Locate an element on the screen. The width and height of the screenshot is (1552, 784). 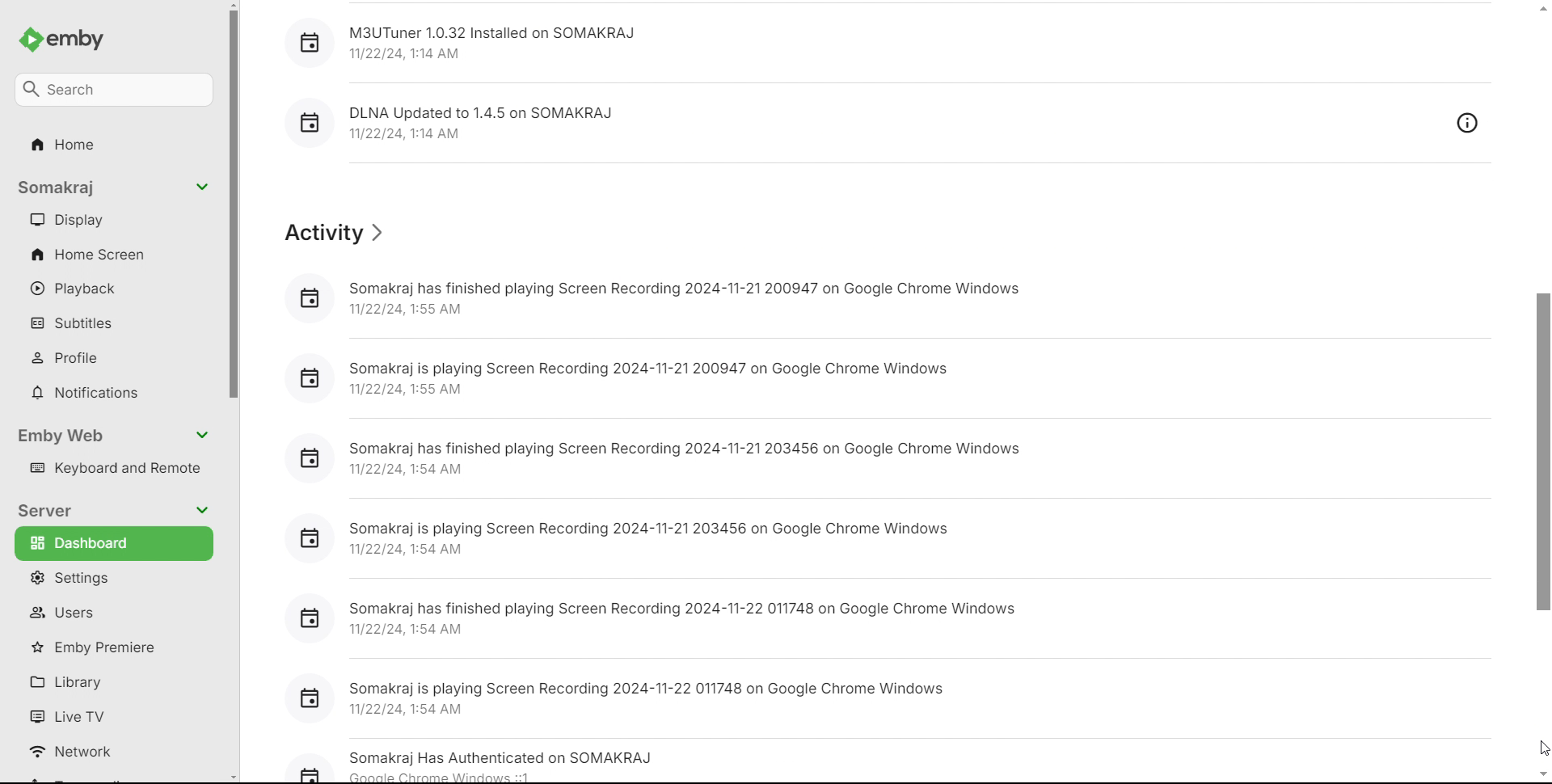
[] M3UTuner 1.0.32 Installed on SOMAKRAJ
1/22/24, 1:14 AM is located at coordinates (479, 42).